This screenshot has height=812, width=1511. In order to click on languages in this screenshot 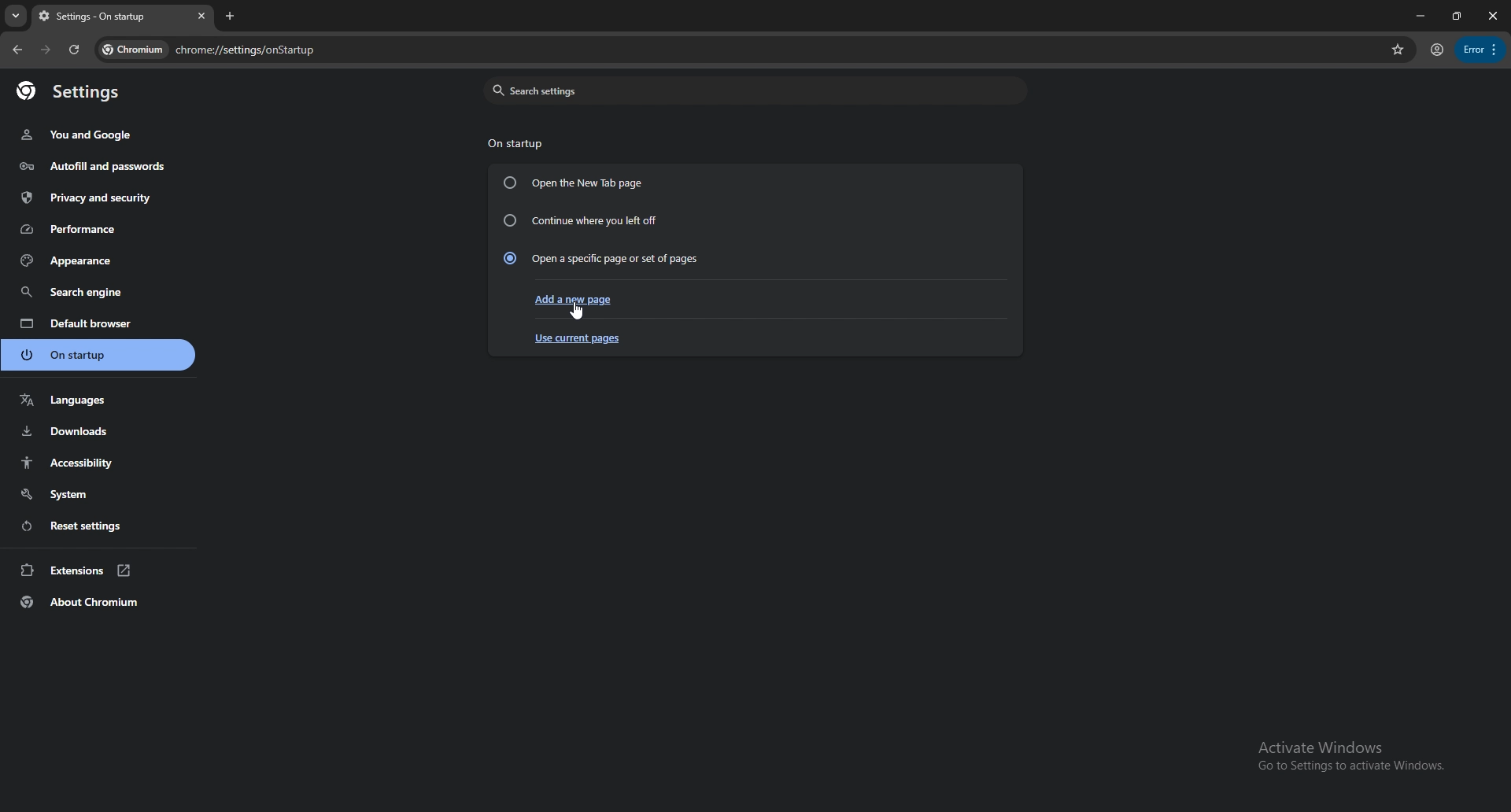, I will do `click(98, 400)`.